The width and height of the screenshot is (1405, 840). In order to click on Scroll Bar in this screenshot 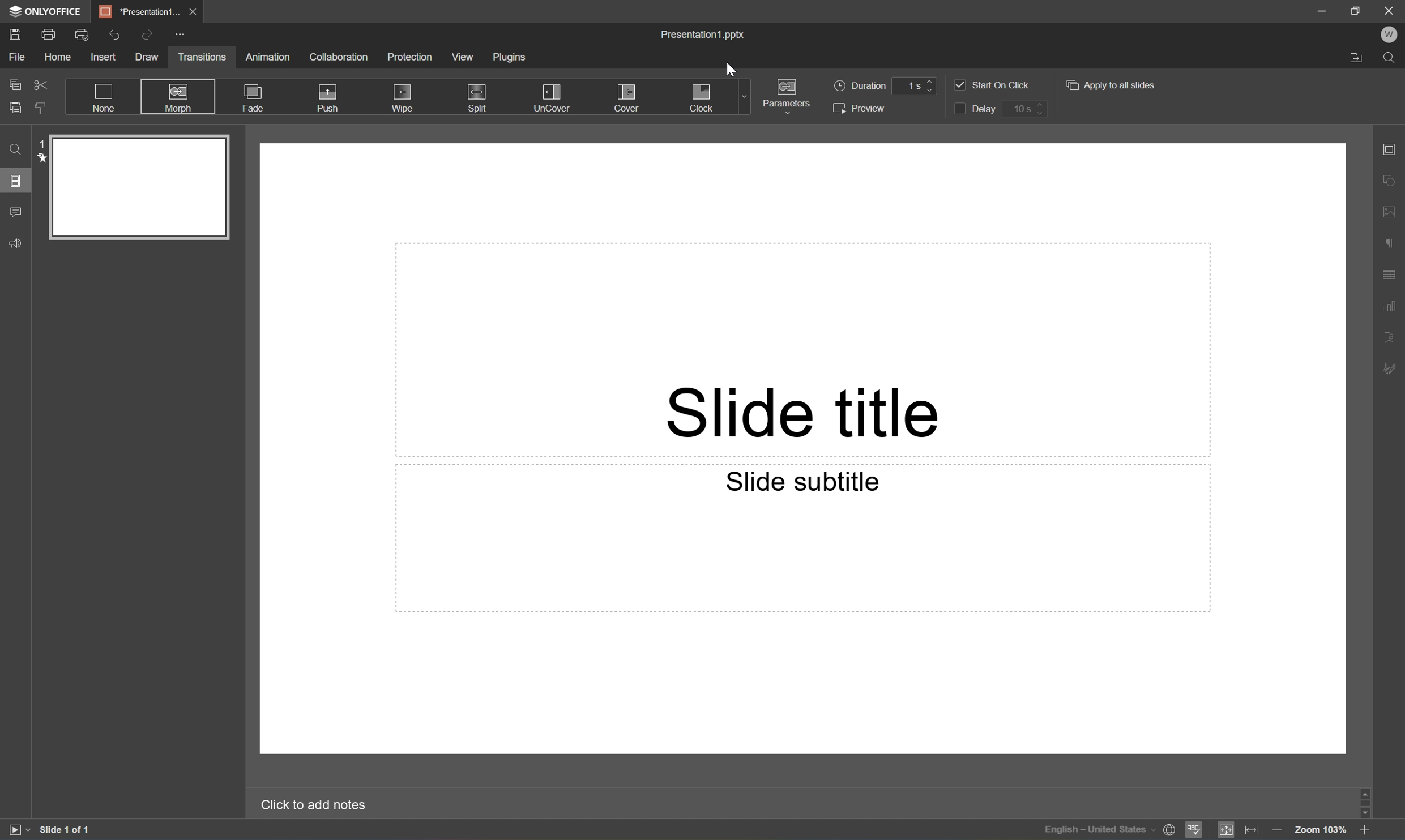, I will do `click(1362, 802)`.